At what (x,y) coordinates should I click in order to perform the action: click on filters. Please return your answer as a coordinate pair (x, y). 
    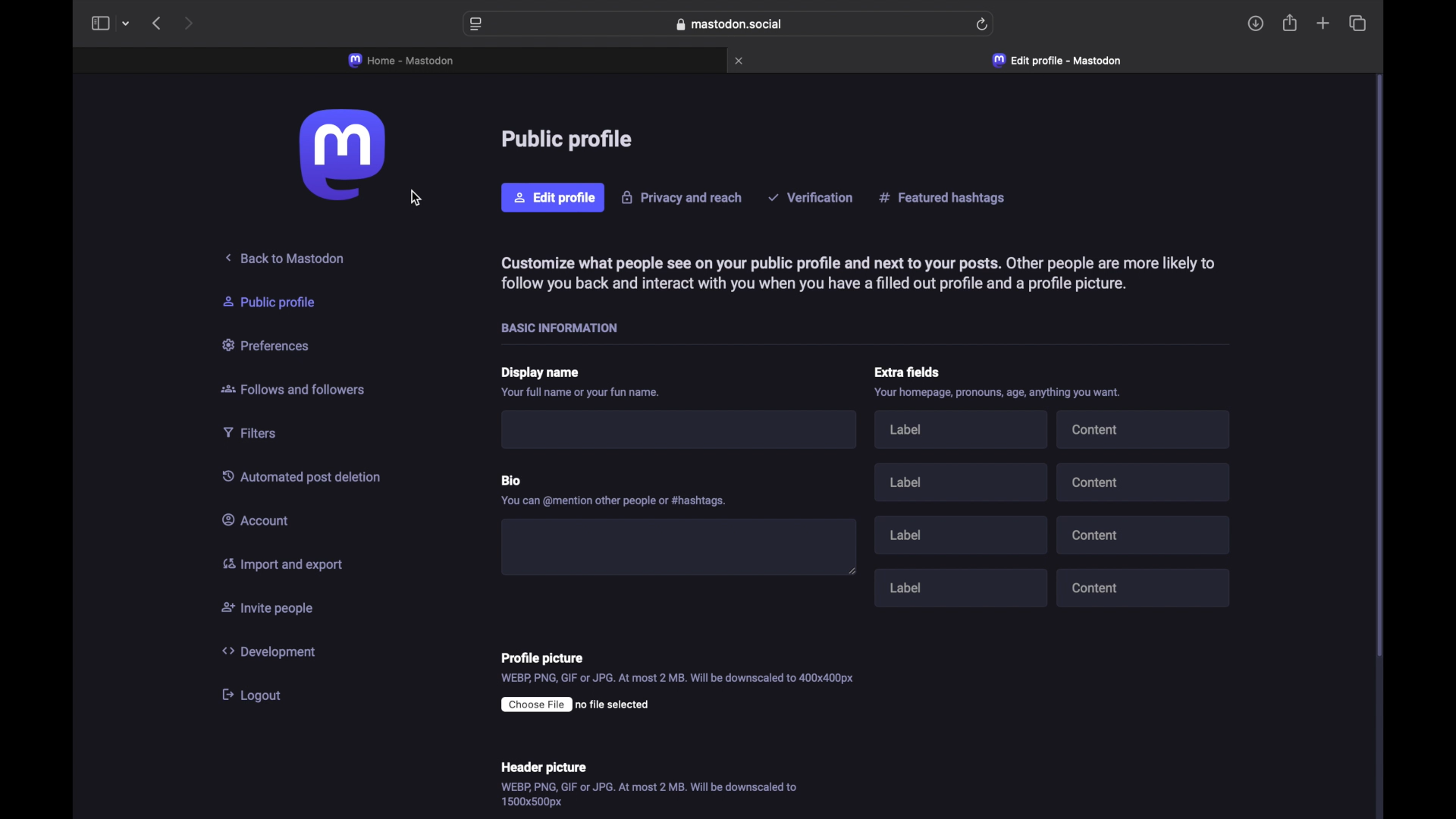
    Looking at the image, I should click on (249, 432).